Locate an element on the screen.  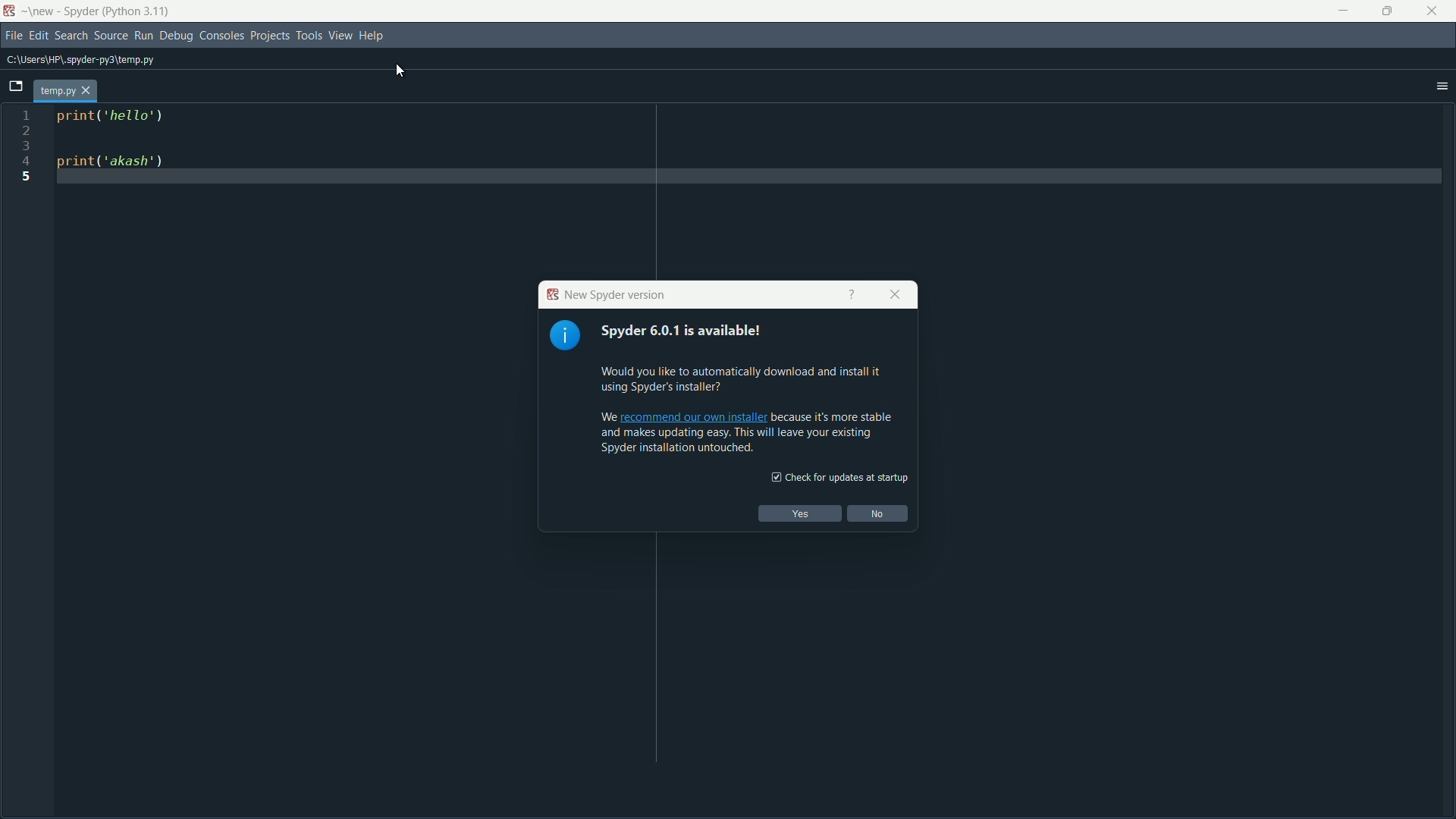
edit menu is located at coordinates (39, 35).